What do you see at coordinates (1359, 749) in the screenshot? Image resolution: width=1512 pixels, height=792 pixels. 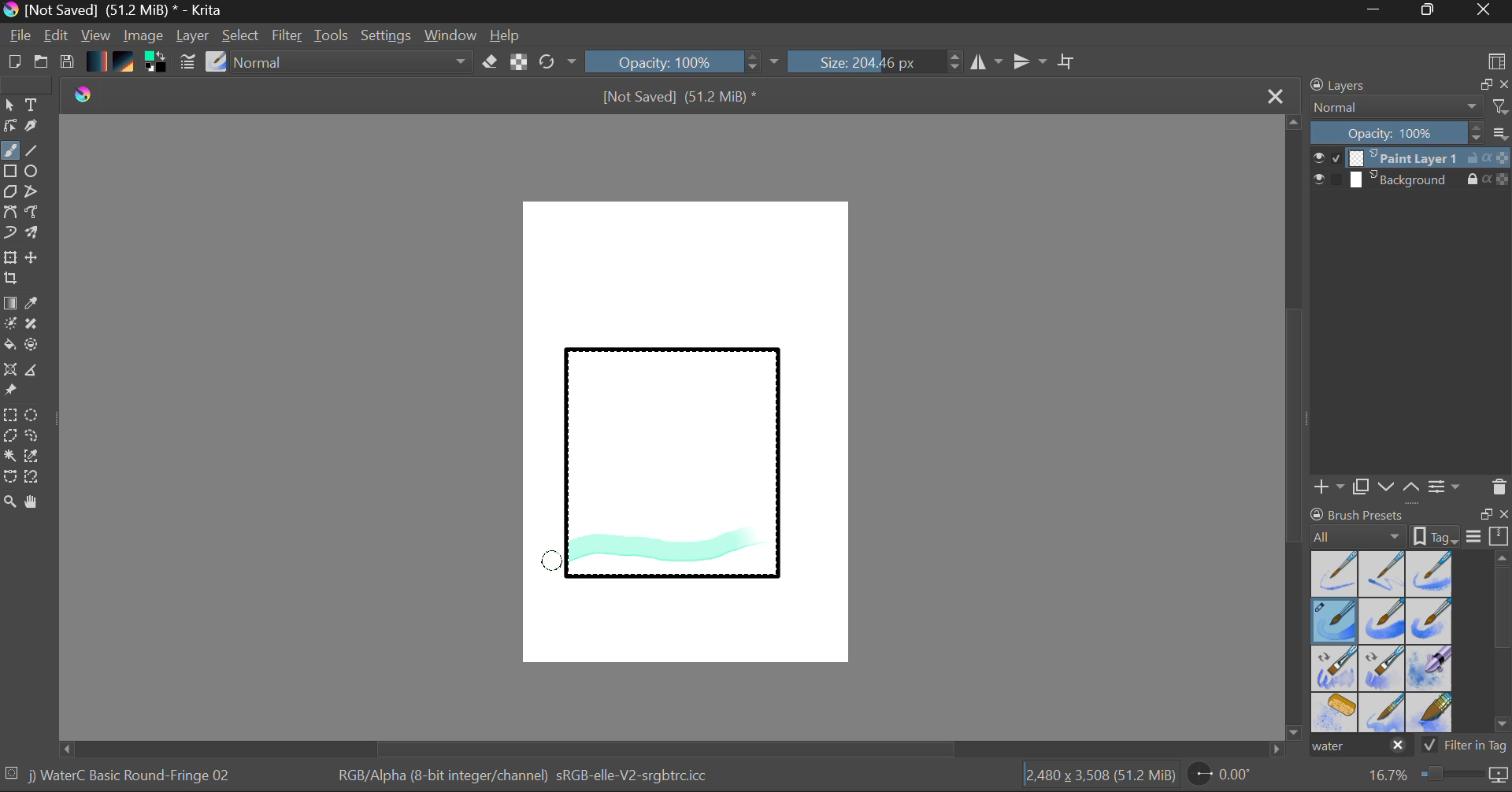 I see `"water" search in brush presets` at bounding box center [1359, 749].